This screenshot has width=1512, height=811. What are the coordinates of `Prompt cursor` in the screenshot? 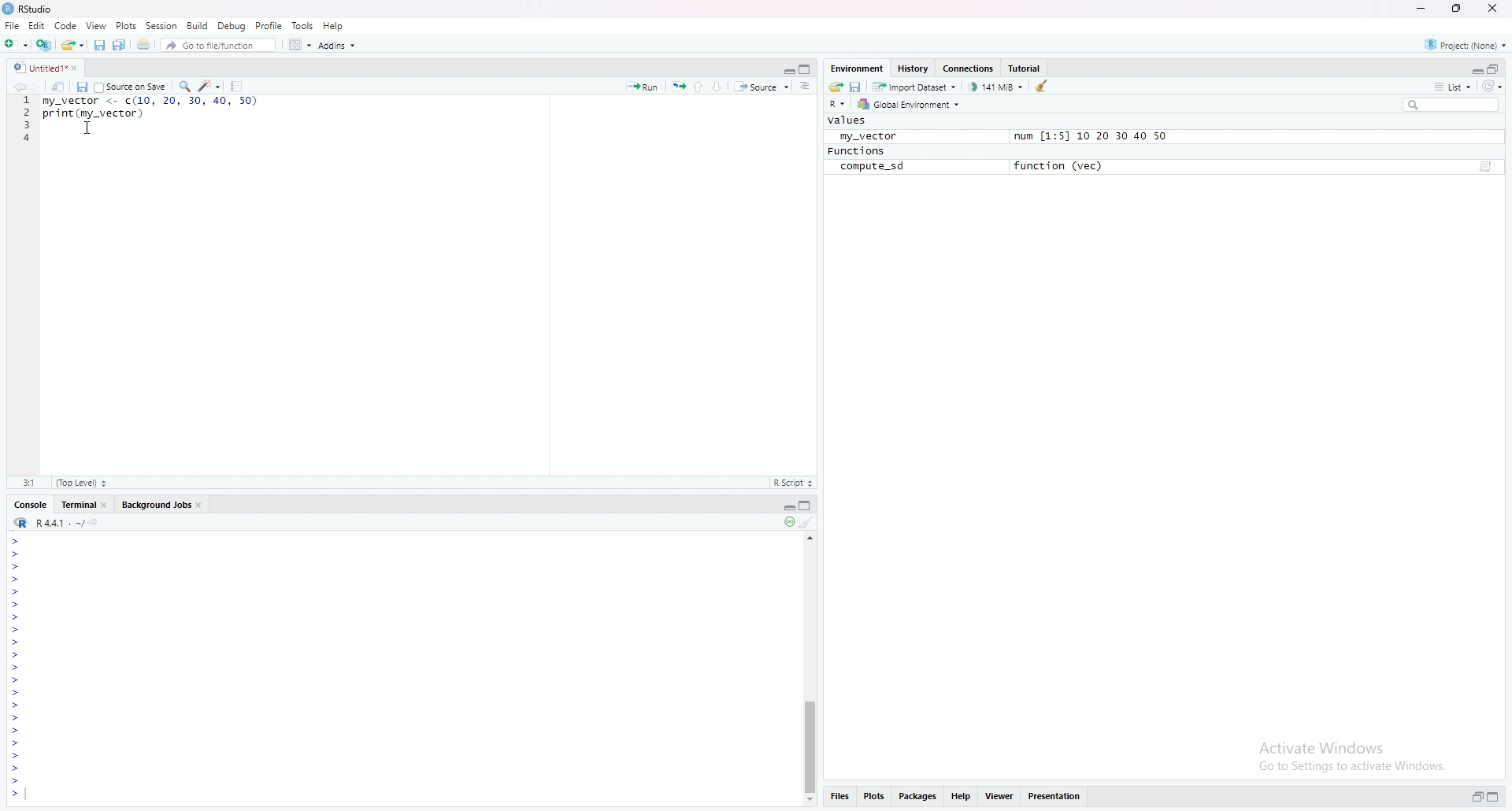 It's located at (16, 769).